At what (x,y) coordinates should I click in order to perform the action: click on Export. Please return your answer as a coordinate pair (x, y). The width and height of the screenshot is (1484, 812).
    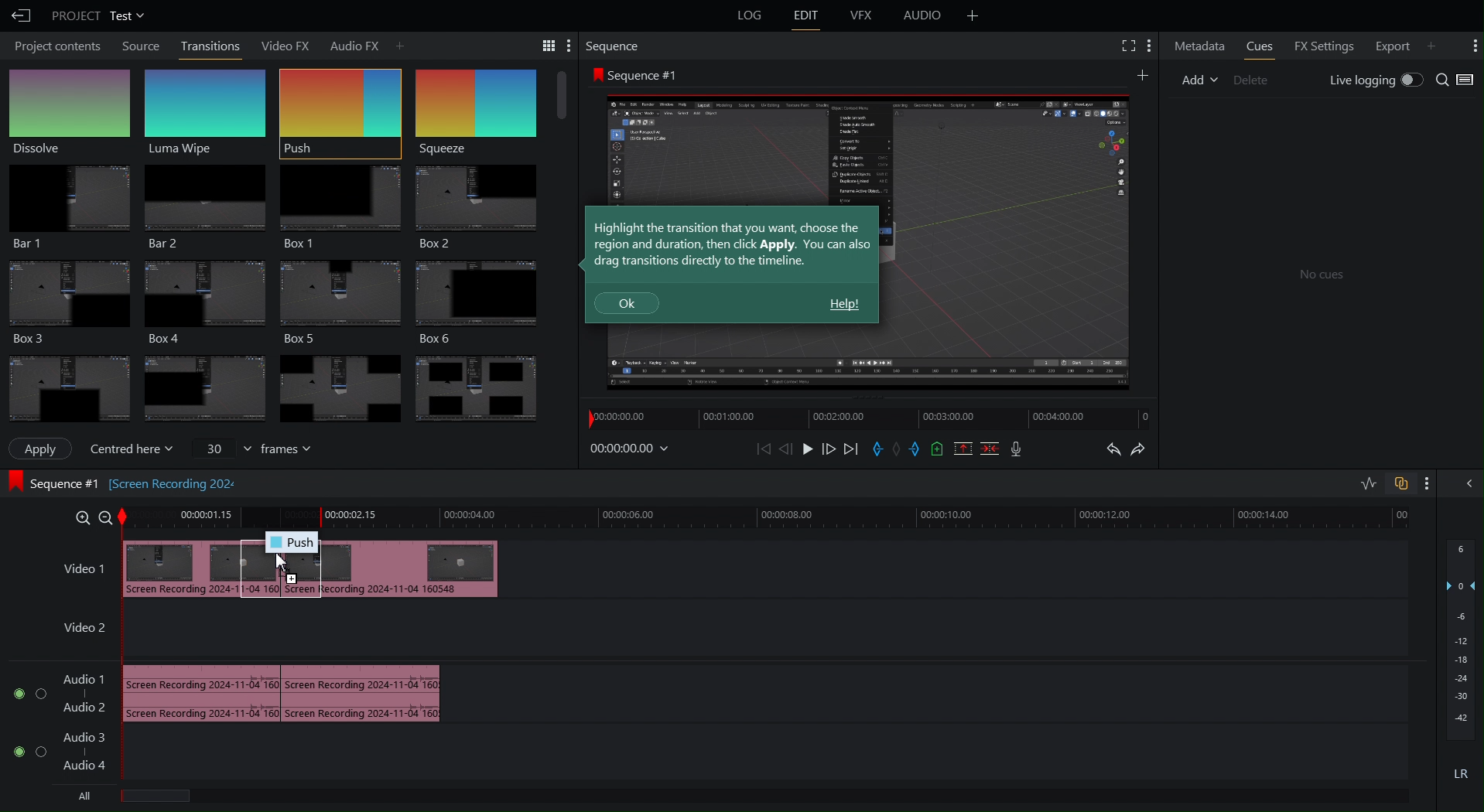
    Looking at the image, I should click on (1393, 45).